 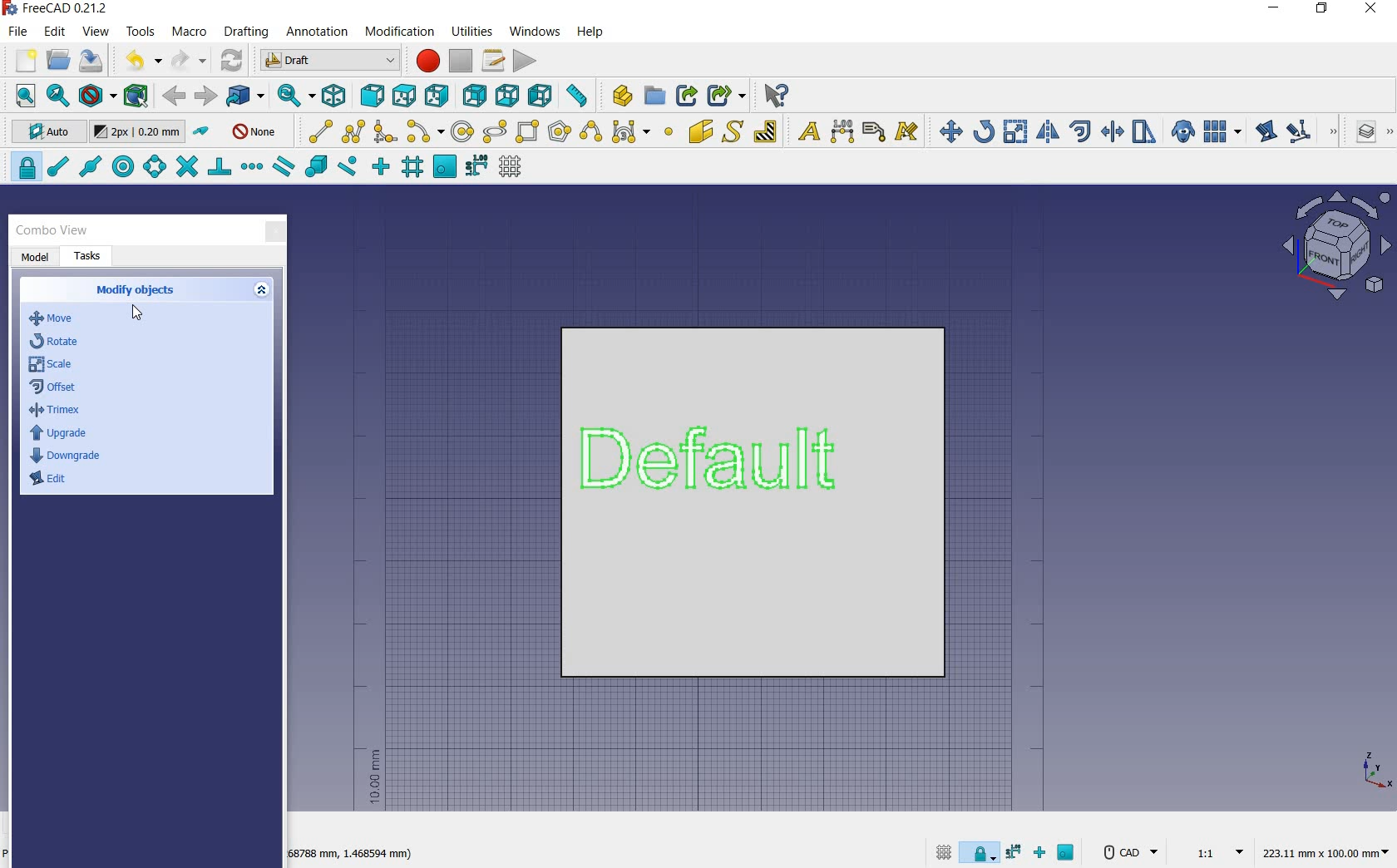 I want to click on isometric, so click(x=335, y=98).